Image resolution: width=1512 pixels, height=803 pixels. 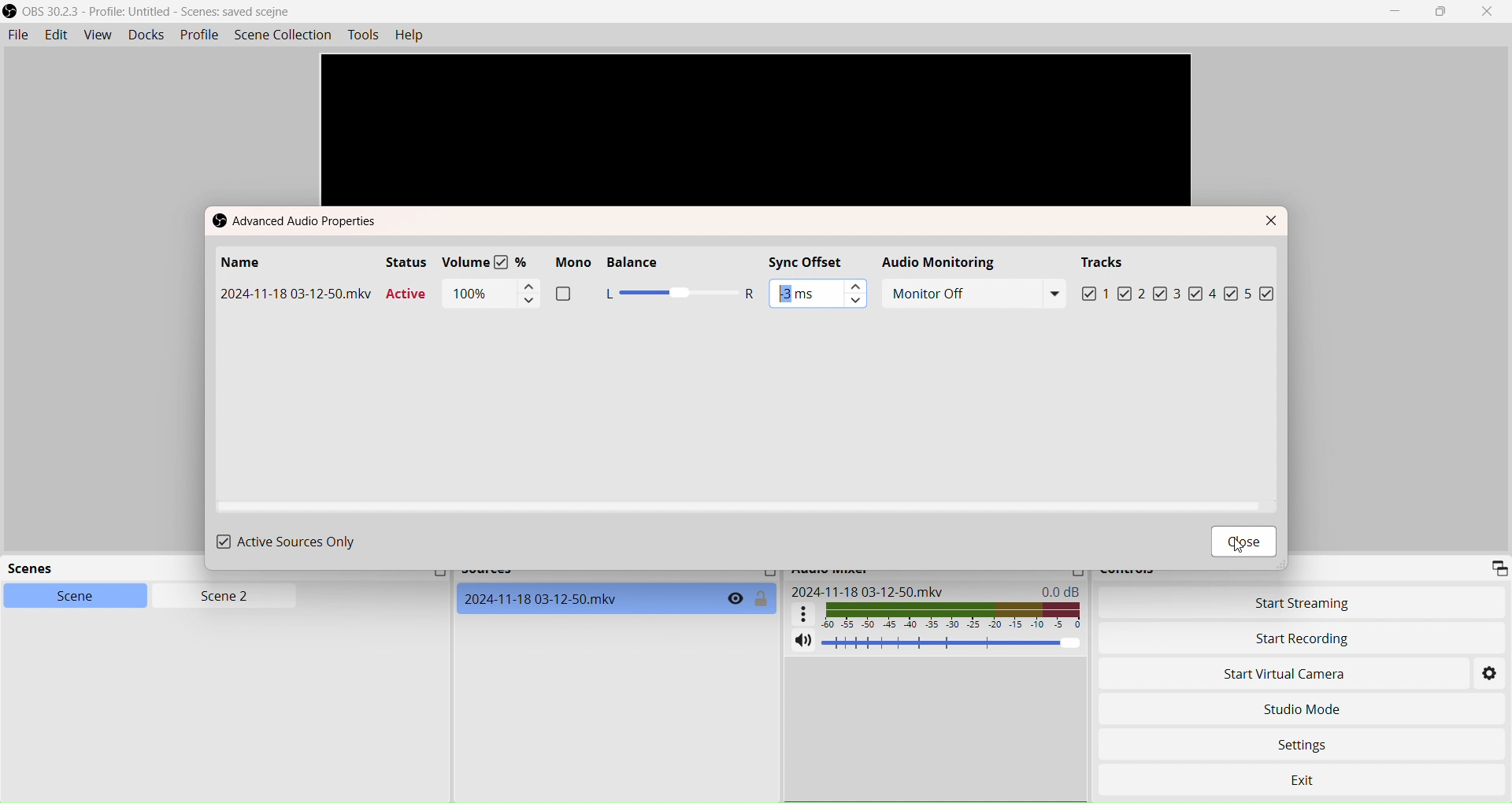 I want to click on -3 ms, so click(x=796, y=292).